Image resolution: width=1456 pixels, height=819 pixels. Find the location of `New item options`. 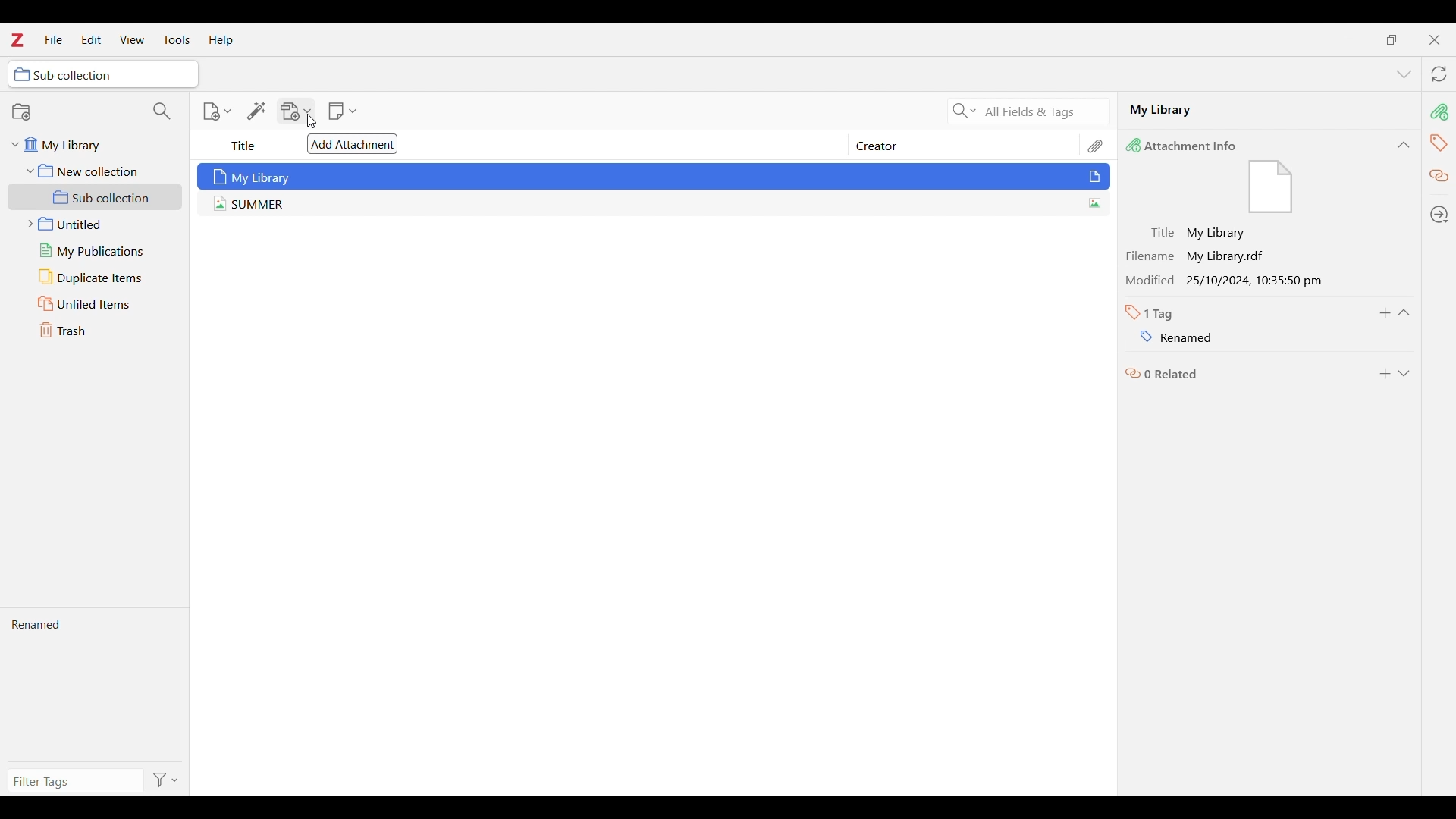

New item options is located at coordinates (217, 111).